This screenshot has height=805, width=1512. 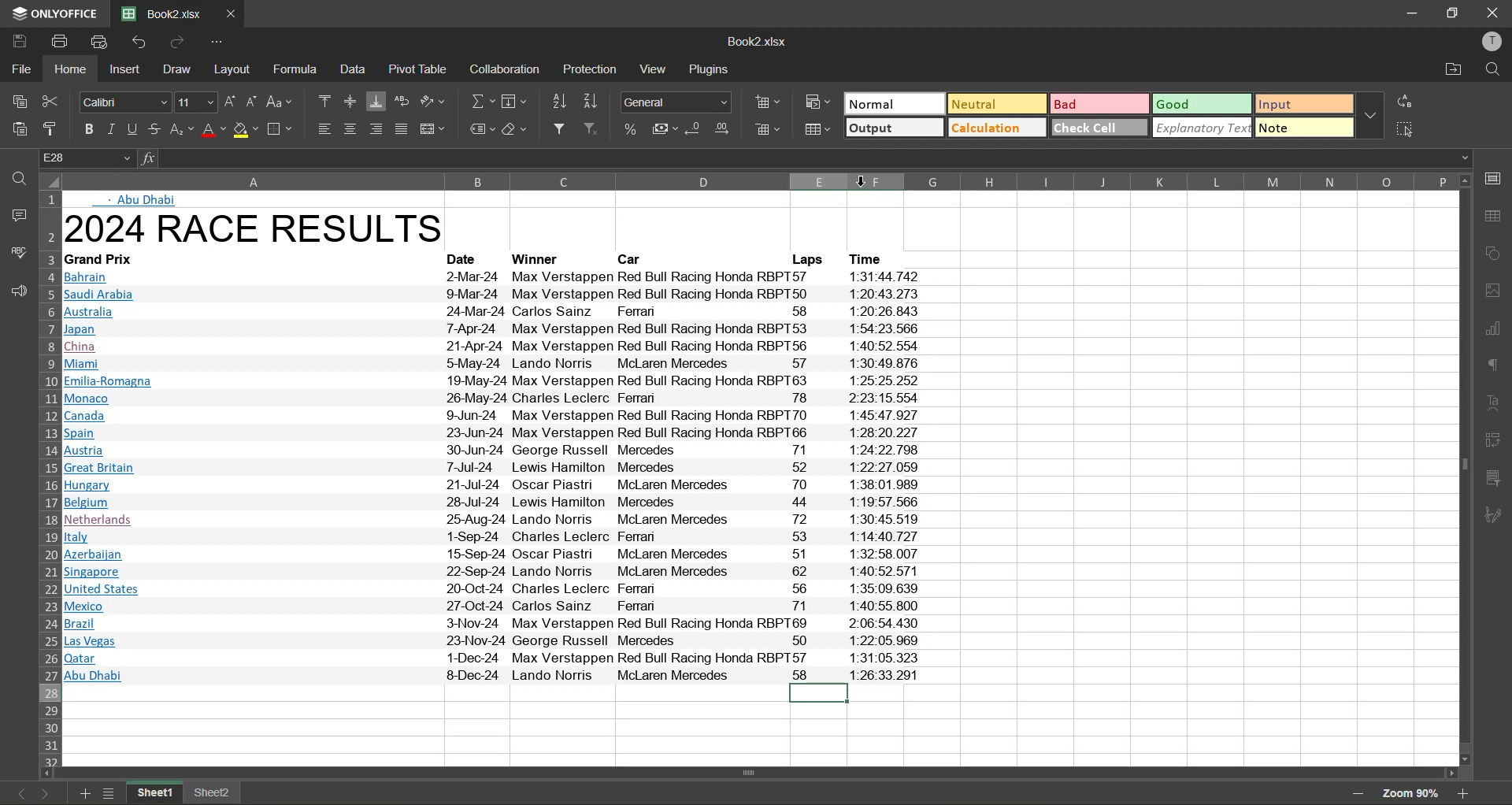 What do you see at coordinates (592, 128) in the screenshot?
I see `clear filter` at bounding box center [592, 128].